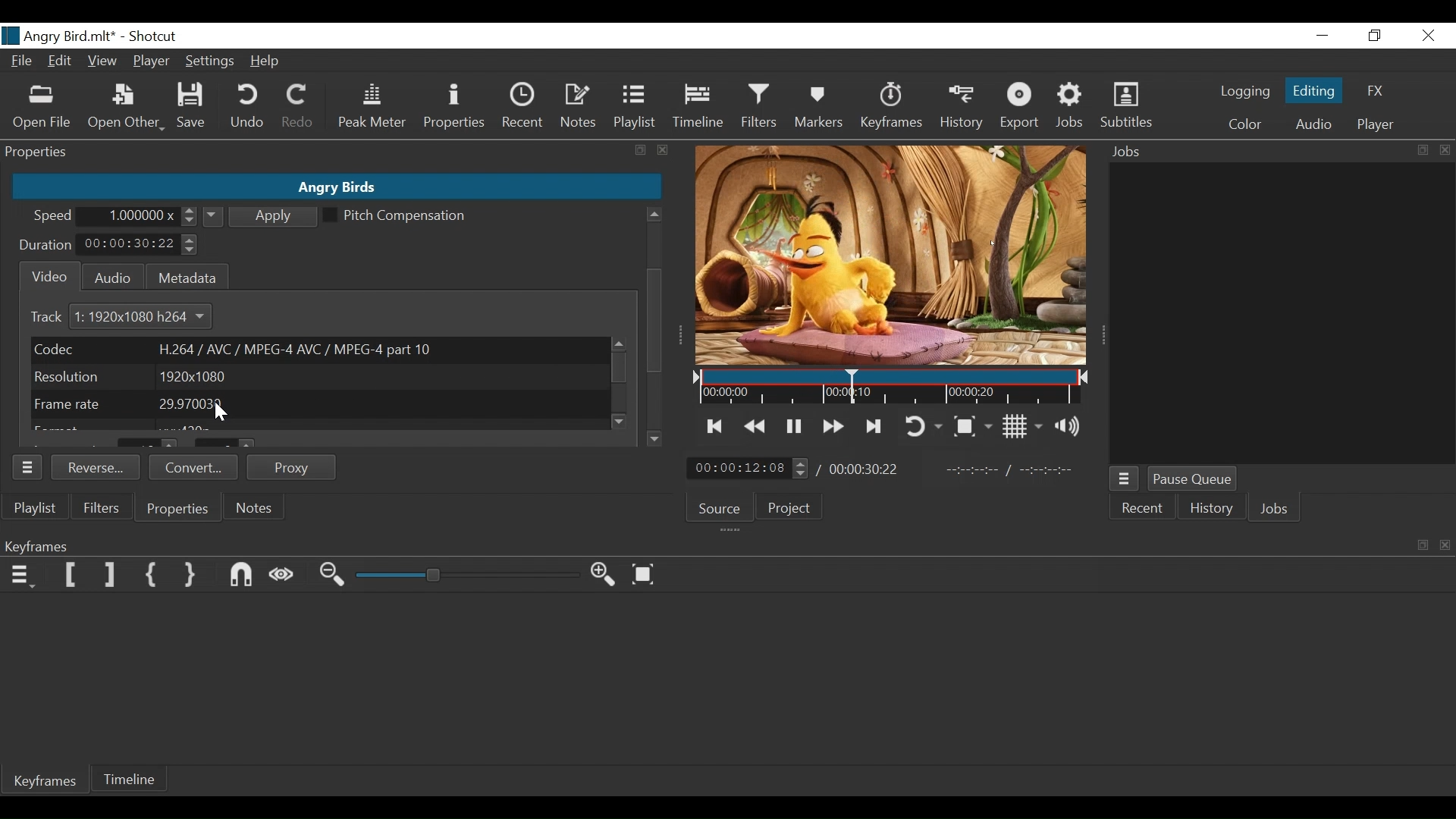  What do you see at coordinates (636, 108) in the screenshot?
I see `Playlist` at bounding box center [636, 108].